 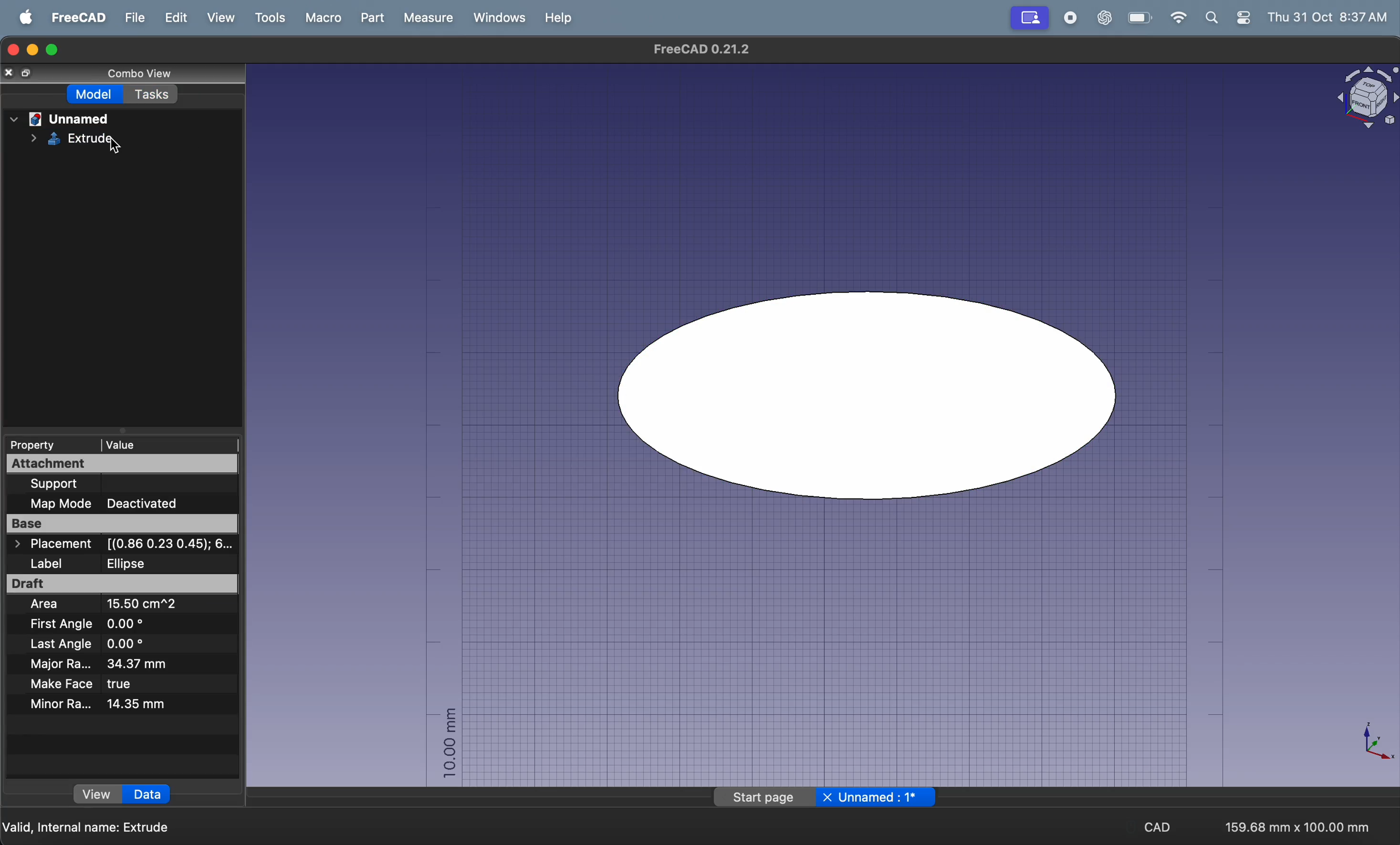 I want to click on help, so click(x=561, y=17).